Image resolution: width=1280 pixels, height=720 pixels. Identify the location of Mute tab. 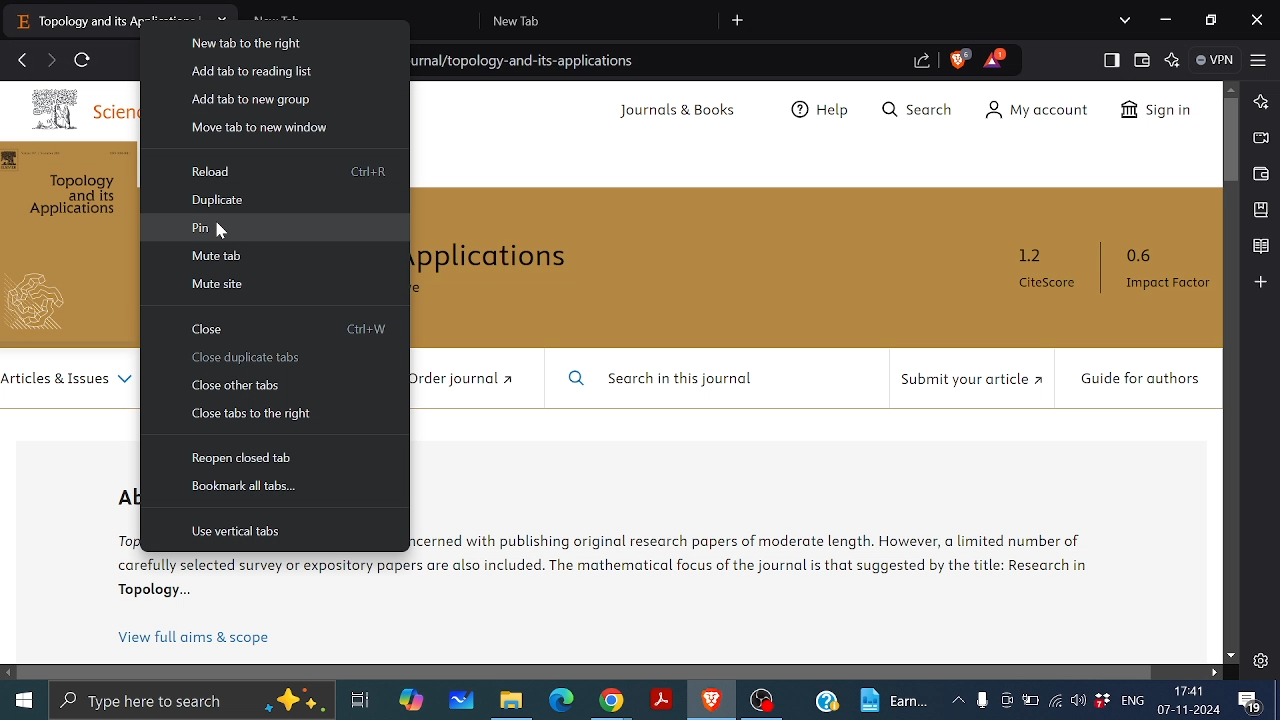
(213, 257).